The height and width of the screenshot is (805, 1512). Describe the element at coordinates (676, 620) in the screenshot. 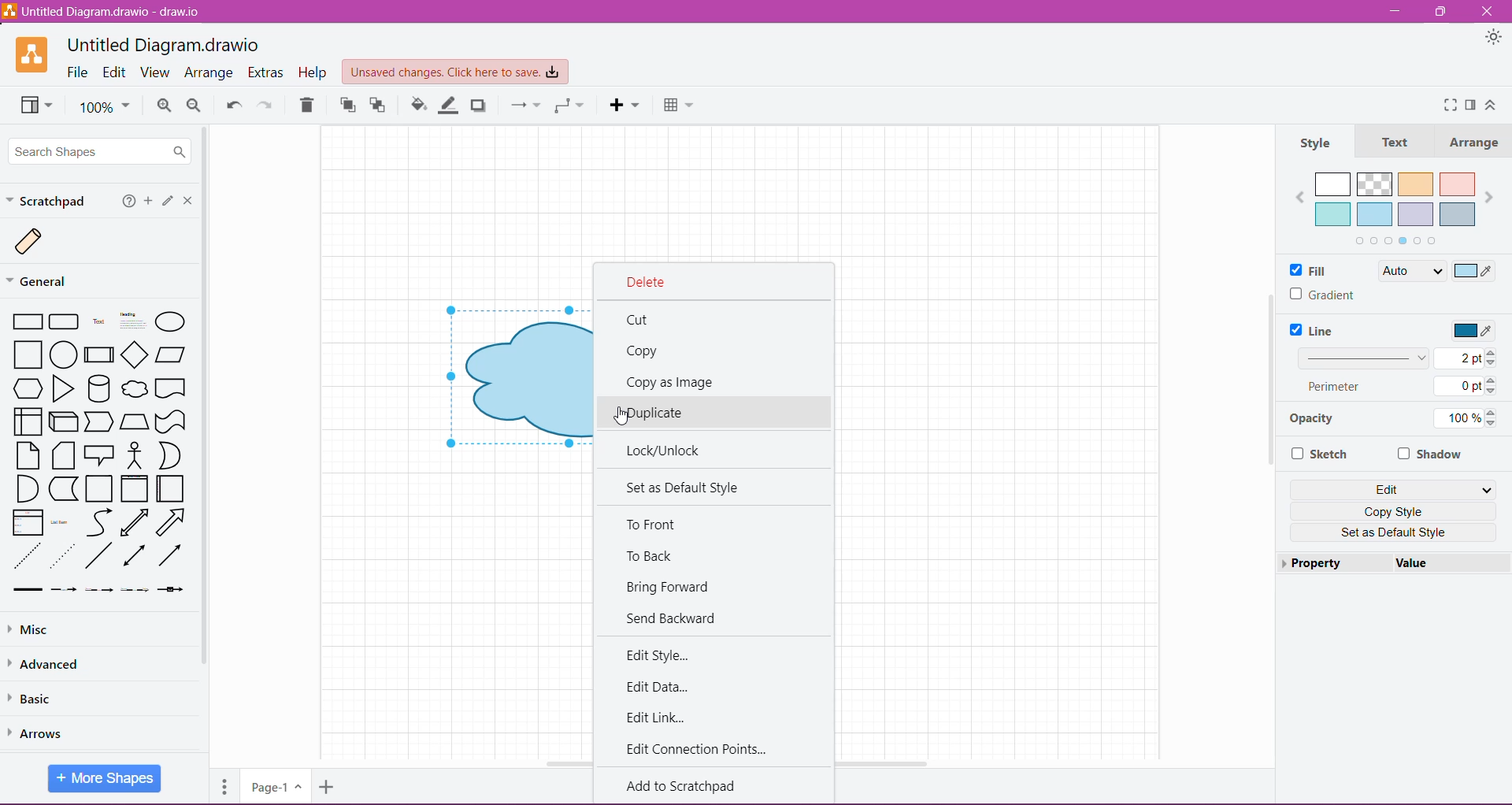

I see `Send Backward` at that location.